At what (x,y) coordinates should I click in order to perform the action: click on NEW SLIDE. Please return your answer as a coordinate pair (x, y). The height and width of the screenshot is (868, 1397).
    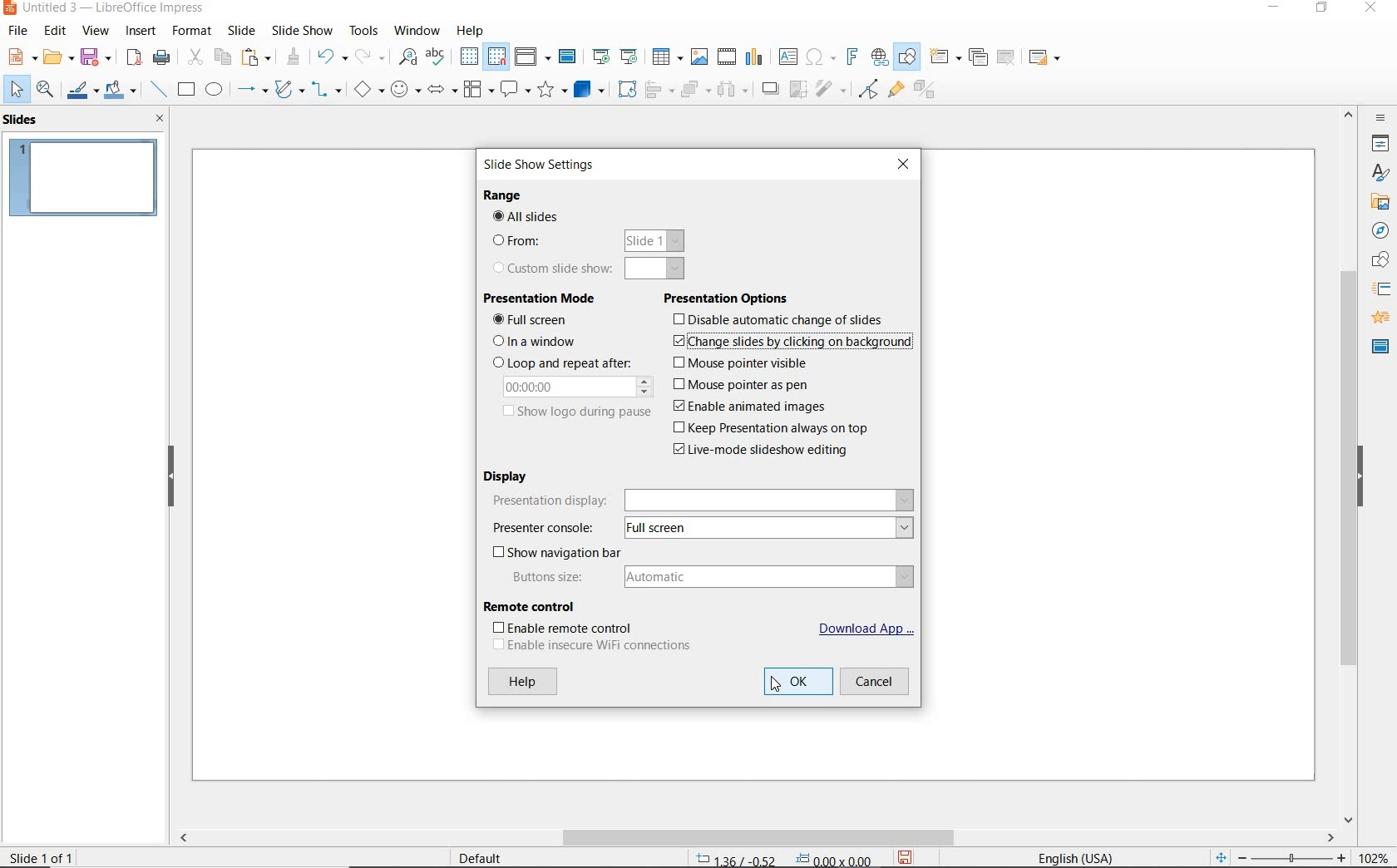
    Looking at the image, I should click on (945, 57).